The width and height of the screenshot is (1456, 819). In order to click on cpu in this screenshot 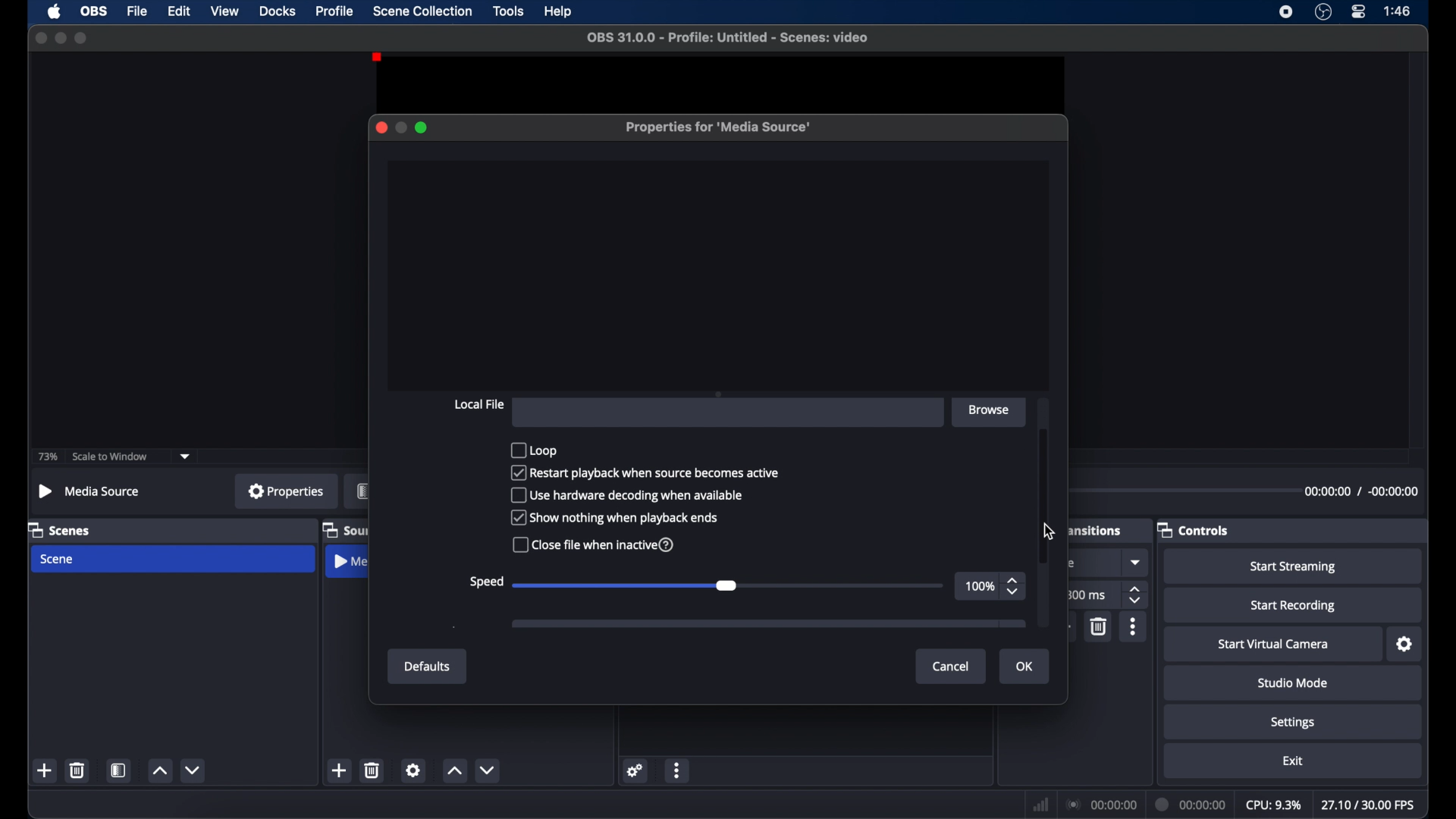, I will do `click(1274, 805)`.